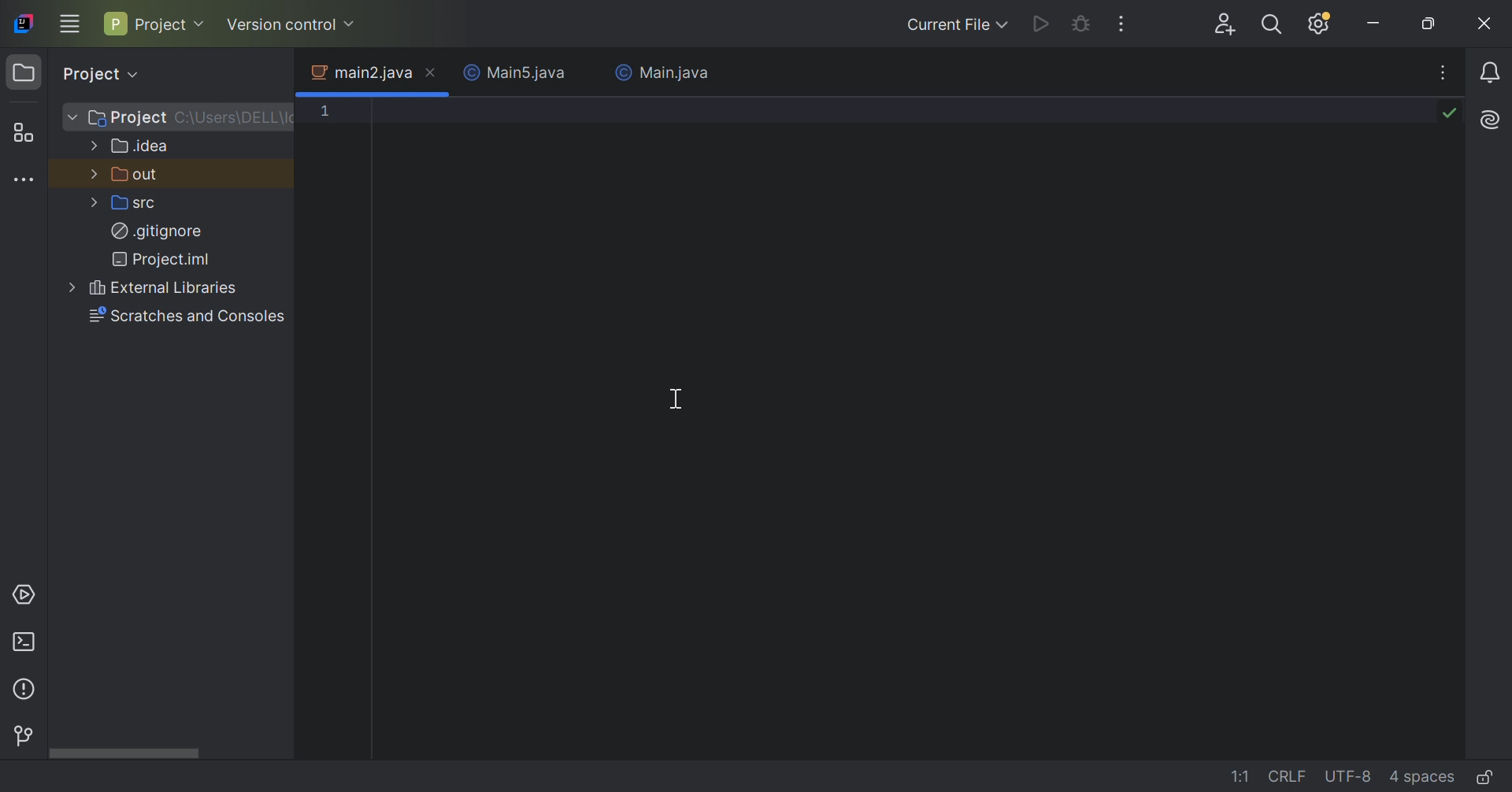 The image size is (1512, 792). Describe the element at coordinates (72, 24) in the screenshot. I see `Main menu` at that location.